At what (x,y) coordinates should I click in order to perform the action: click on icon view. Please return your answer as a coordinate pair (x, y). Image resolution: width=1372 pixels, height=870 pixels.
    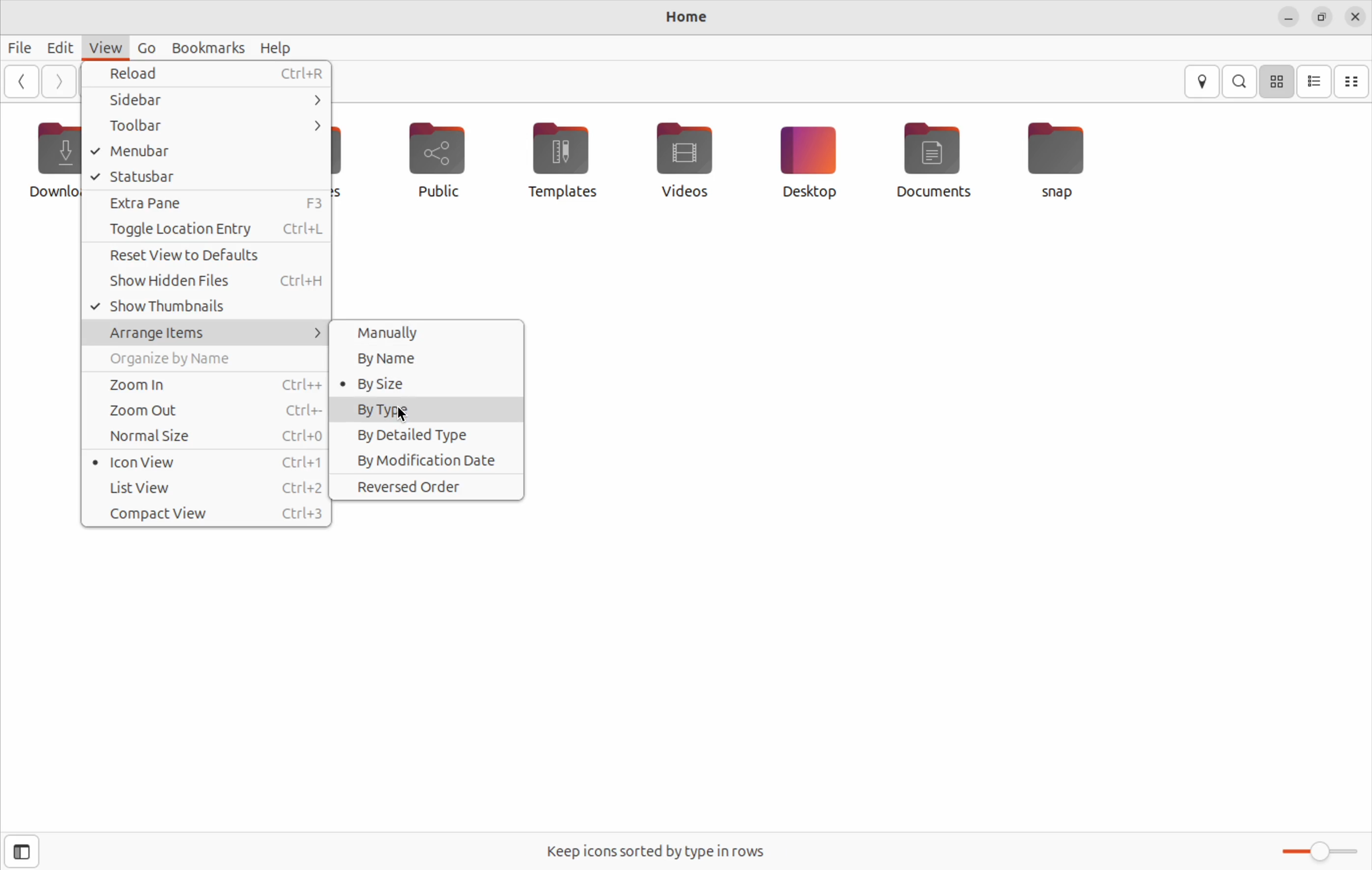
    Looking at the image, I should click on (207, 461).